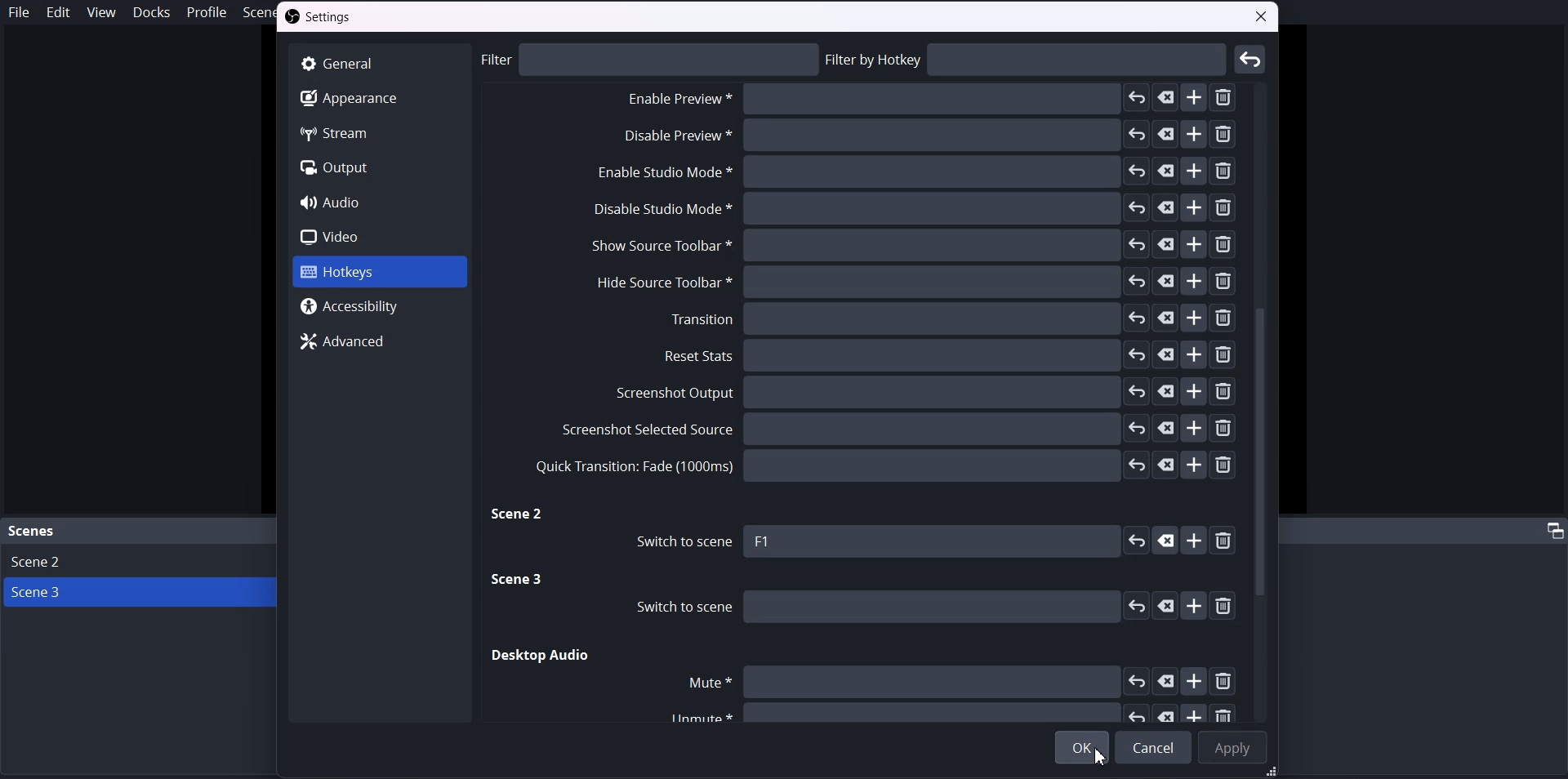  Describe the element at coordinates (1102, 756) in the screenshot. I see `Cursor` at that location.